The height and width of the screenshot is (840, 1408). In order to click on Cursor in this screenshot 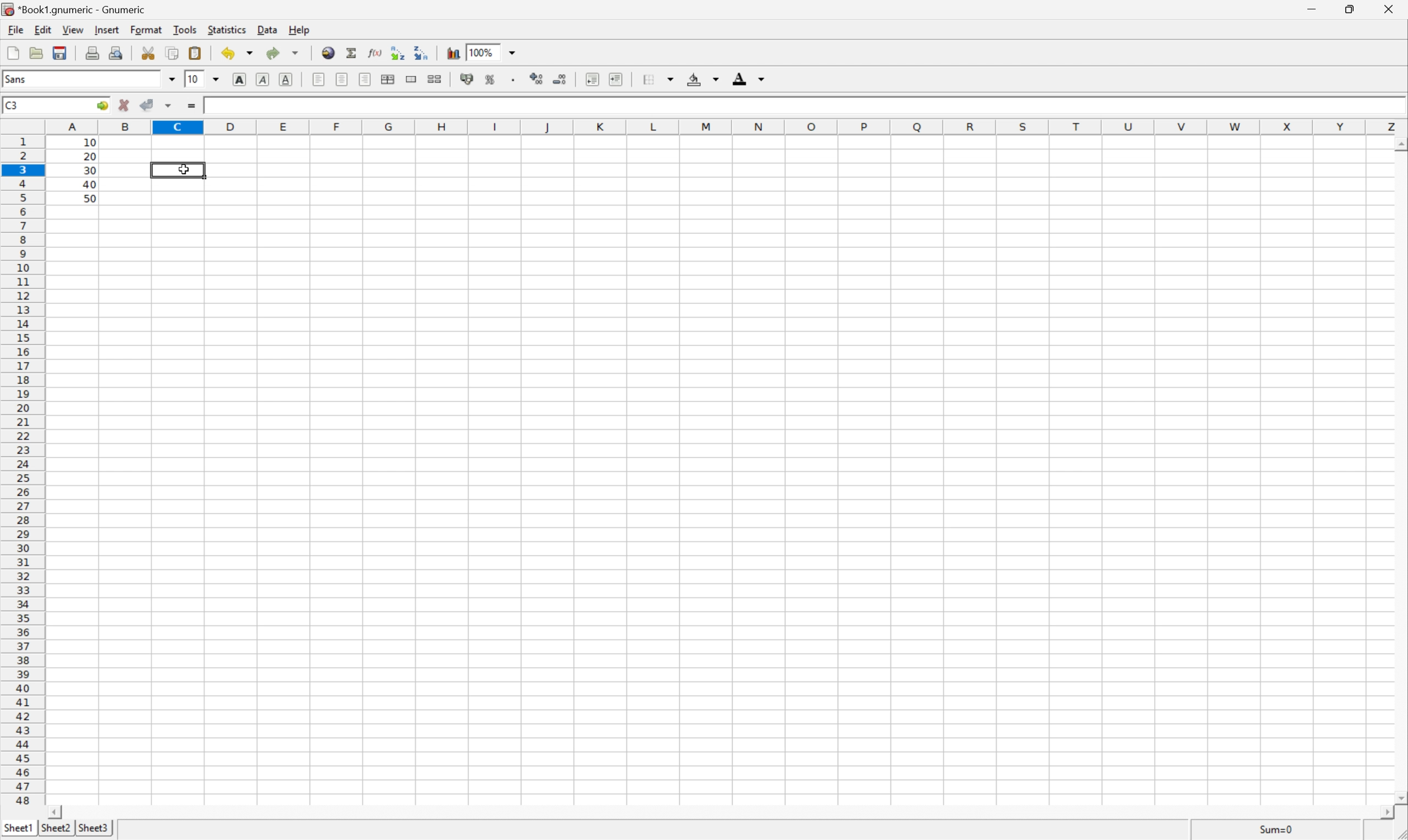, I will do `click(185, 169)`.